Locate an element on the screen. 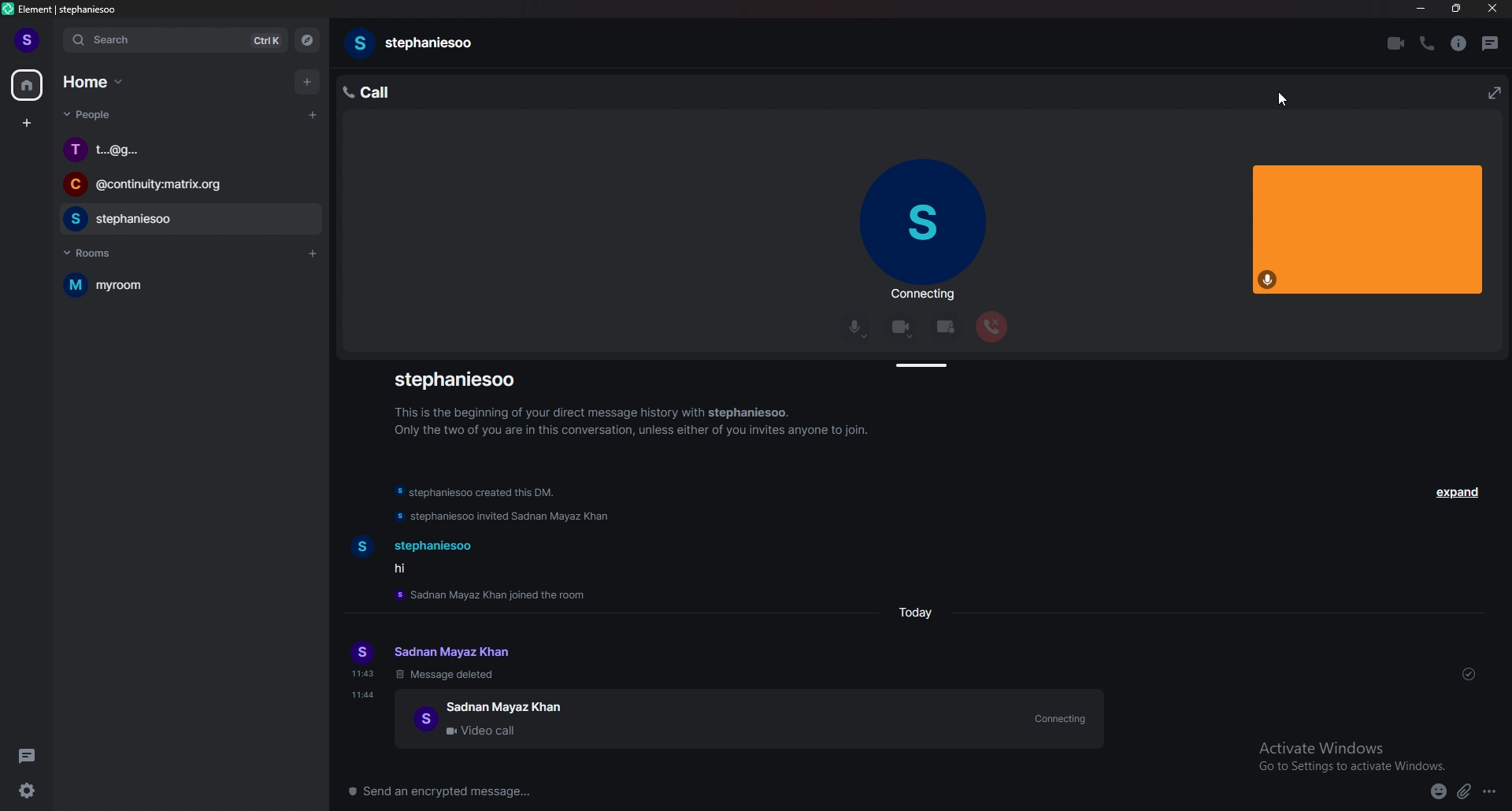 The width and height of the screenshot is (1512, 811). update is located at coordinates (498, 594).